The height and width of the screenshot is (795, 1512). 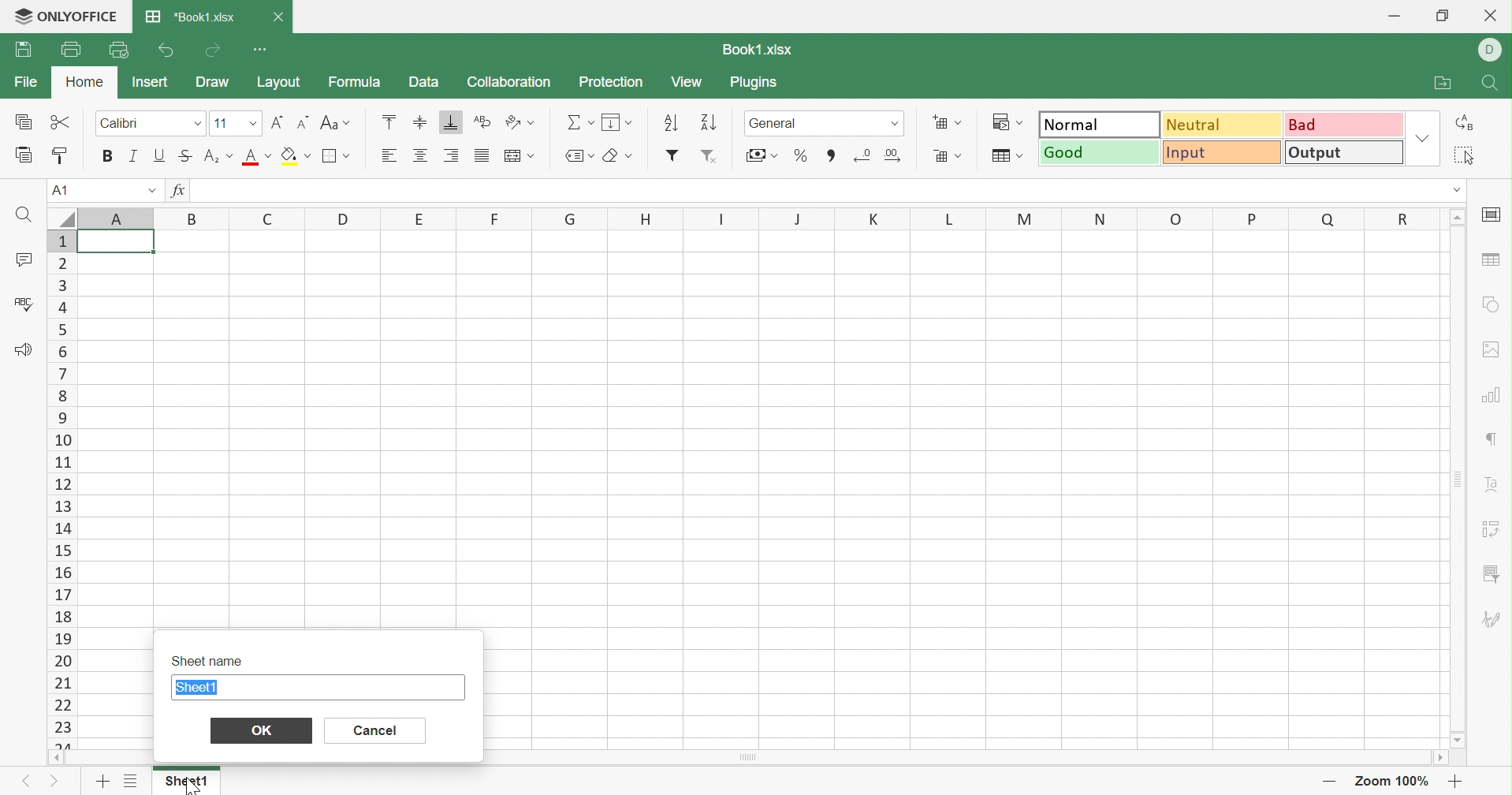 I want to click on Ascending order, so click(x=672, y=120).